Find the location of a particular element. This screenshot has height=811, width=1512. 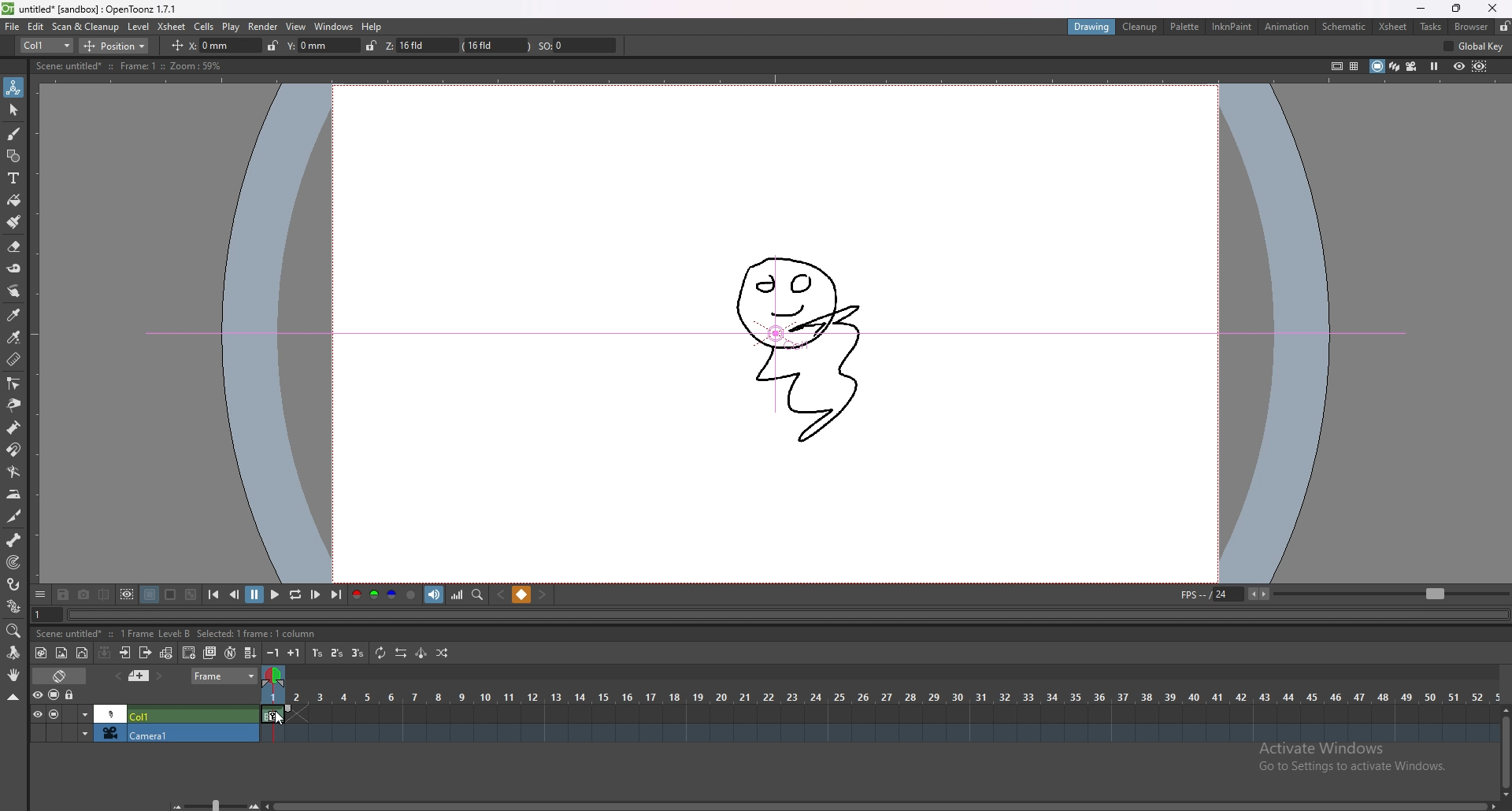

scan and cleanup is located at coordinates (86, 26).